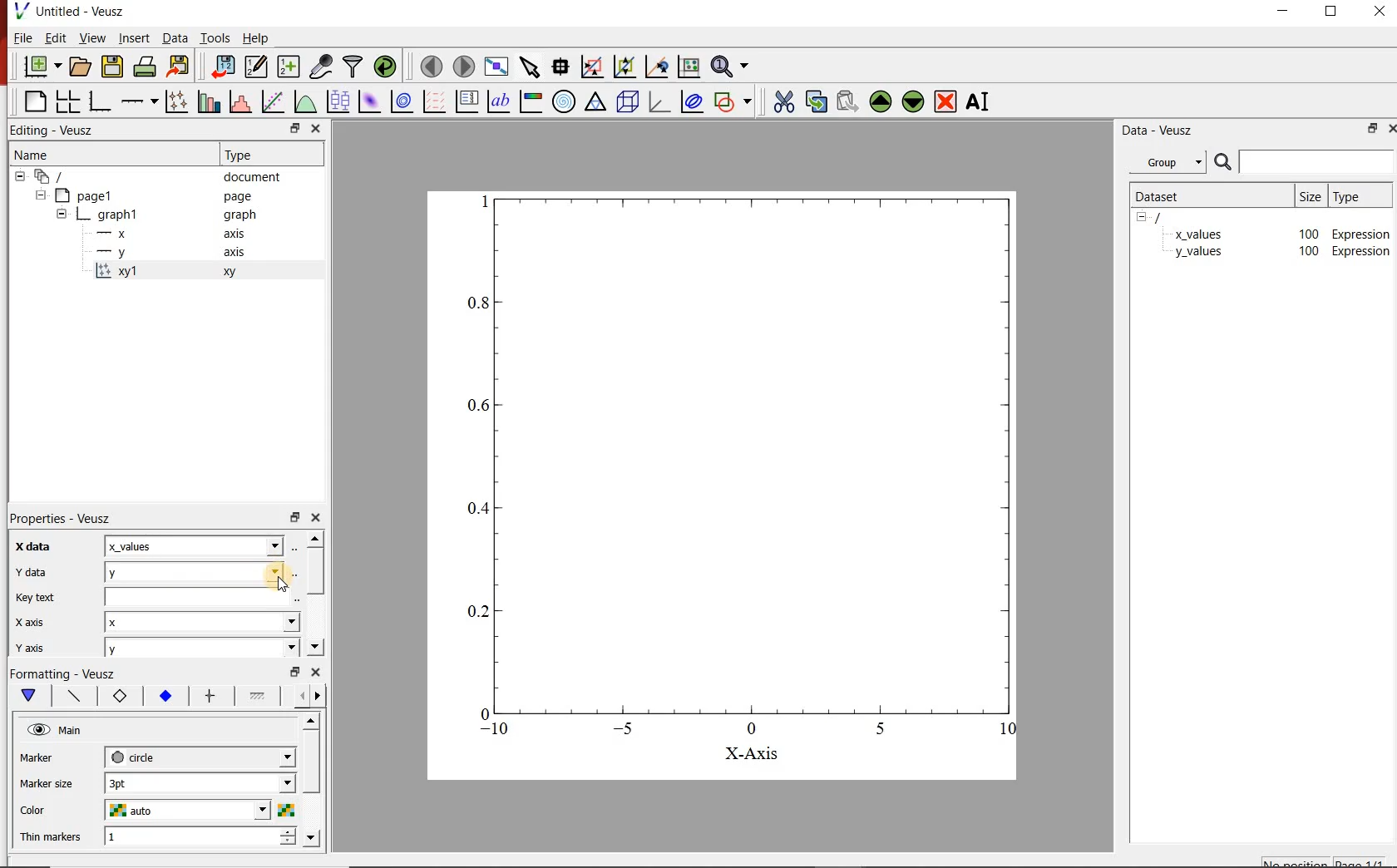 The image size is (1397, 868). What do you see at coordinates (30, 696) in the screenshot?
I see `main formatting` at bounding box center [30, 696].